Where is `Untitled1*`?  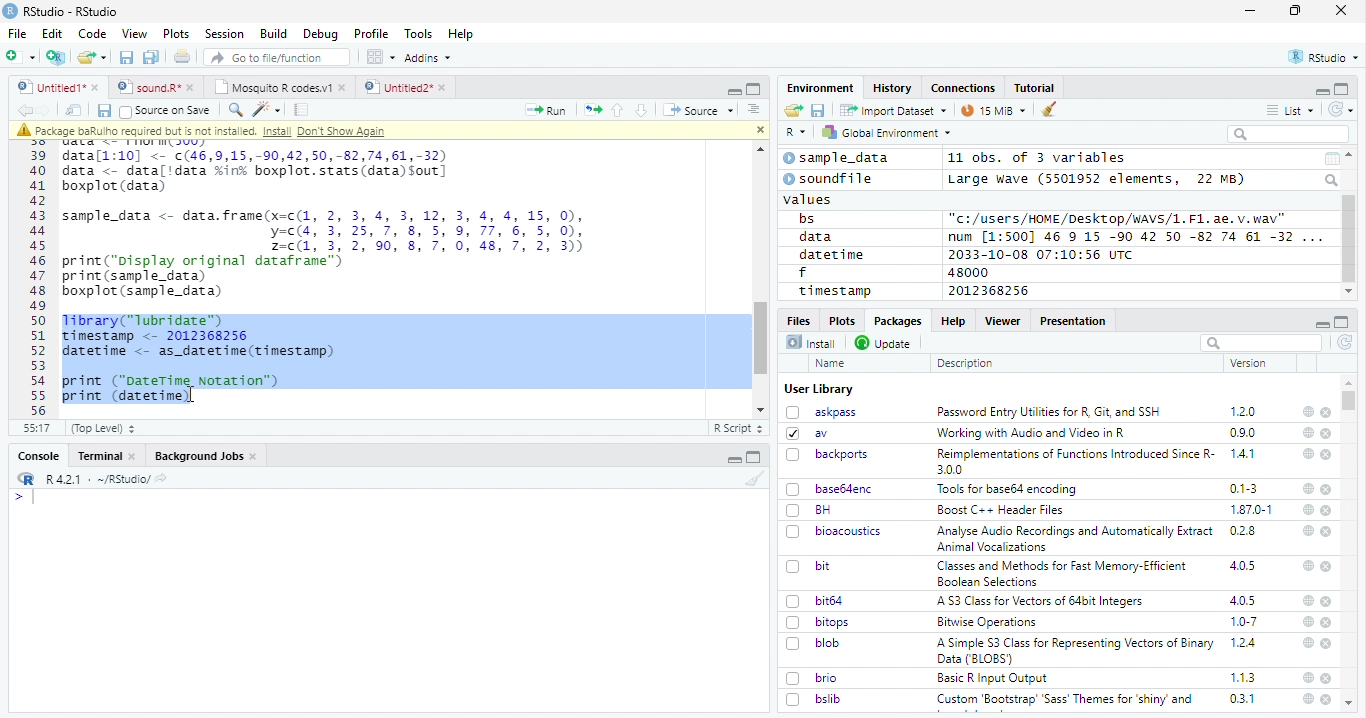
Untitled1* is located at coordinates (57, 88).